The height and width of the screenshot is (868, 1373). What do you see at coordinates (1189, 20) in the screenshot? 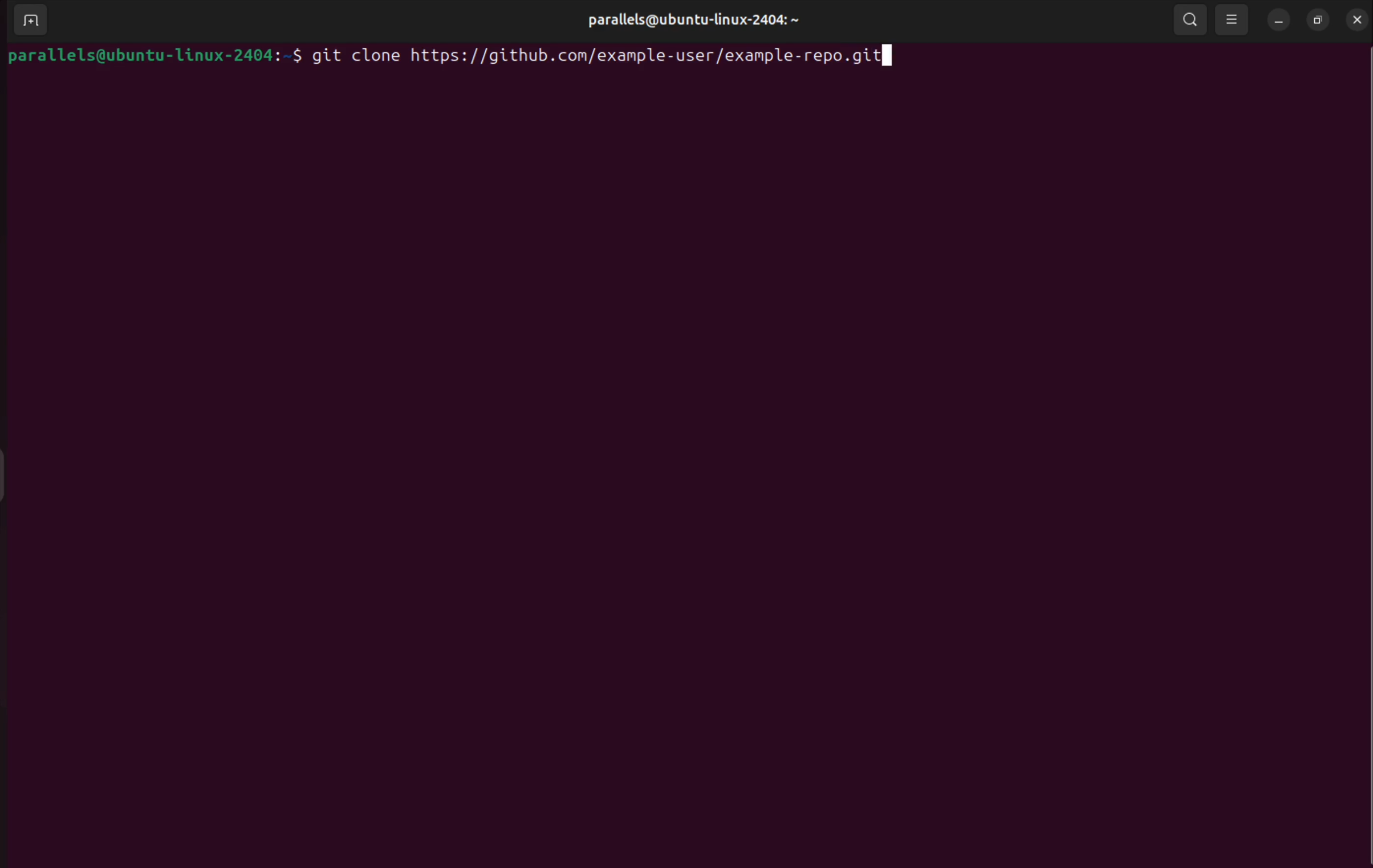
I see `search` at bounding box center [1189, 20].